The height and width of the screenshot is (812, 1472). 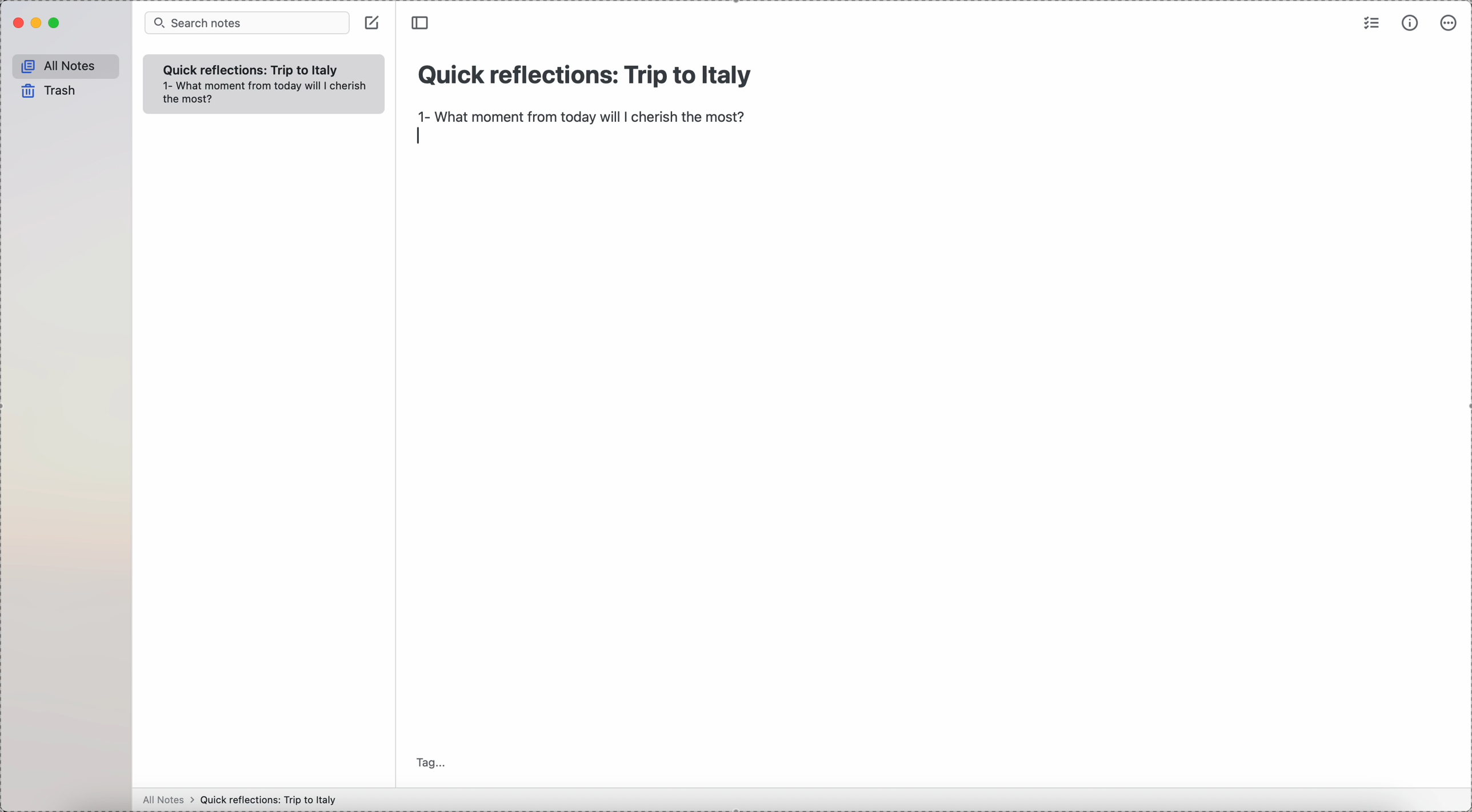 I want to click on Quick reflections: Trip to Italy, so click(x=271, y=799).